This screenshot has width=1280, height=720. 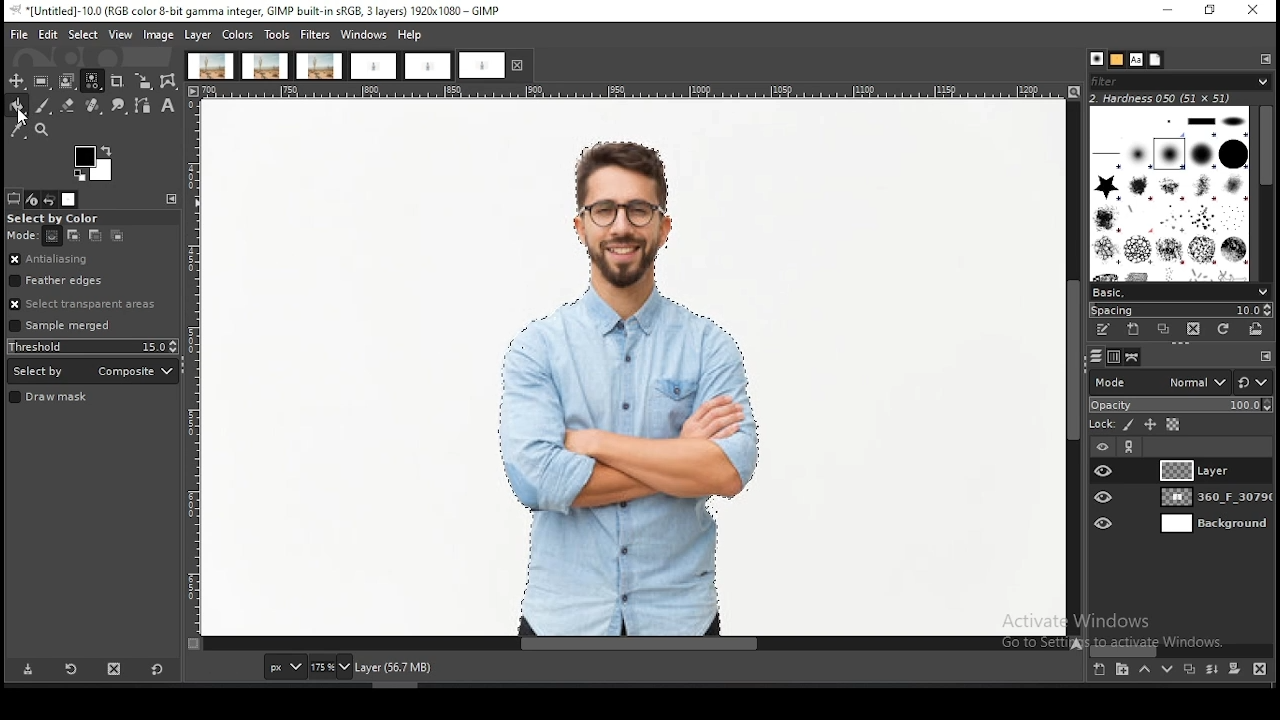 What do you see at coordinates (68, 105) in the screenshot?
I see `eraser tool` at bounding box center [68, 105].